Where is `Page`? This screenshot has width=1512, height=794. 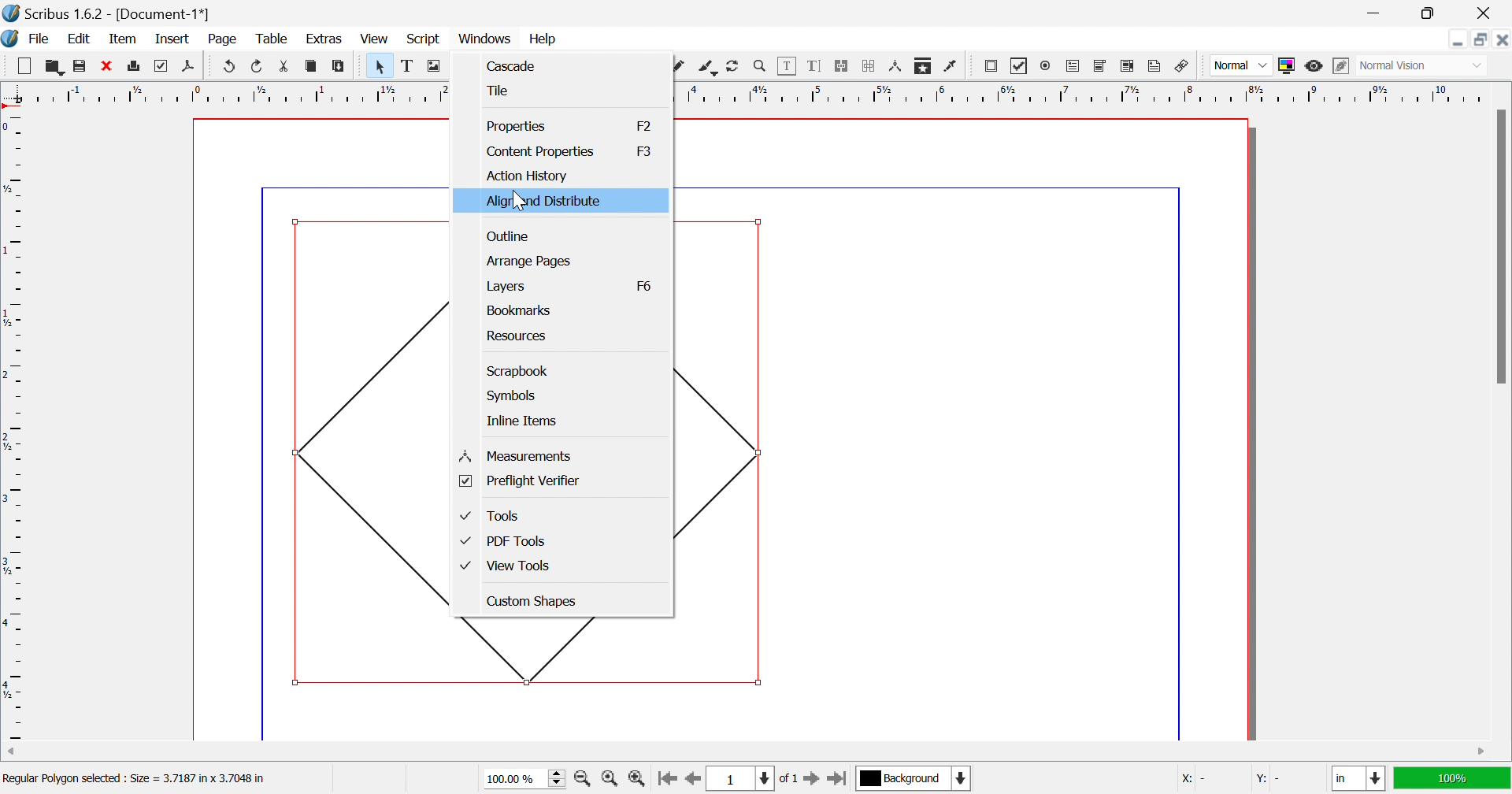 Page is located at coordinates (221, 39).